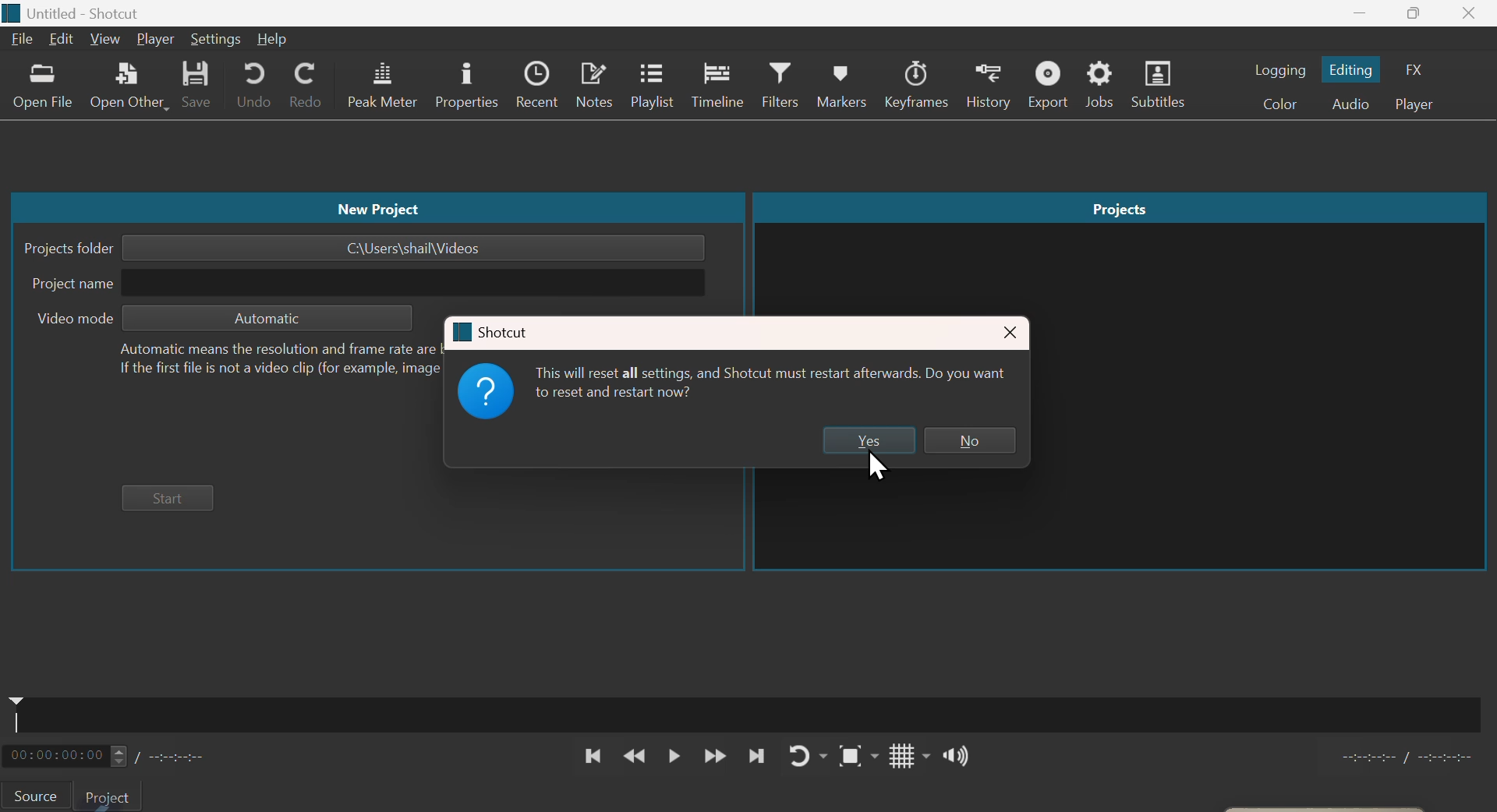 This screenshot has height=812, width=1497. I want to click on Backward, so click(635, 757).